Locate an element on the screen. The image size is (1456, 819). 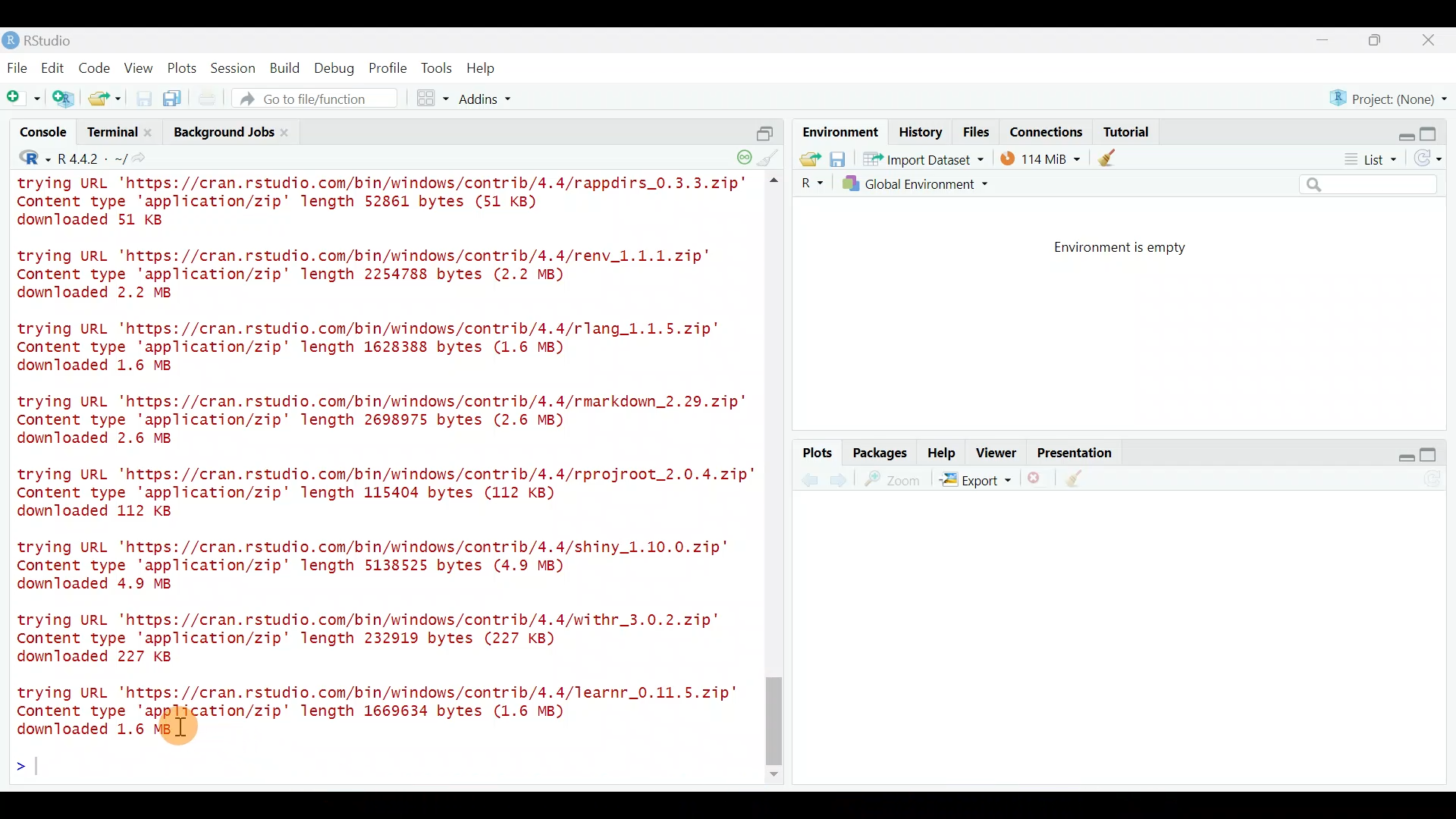
clear objects from the workspace is located at coordinates (1109, 157).